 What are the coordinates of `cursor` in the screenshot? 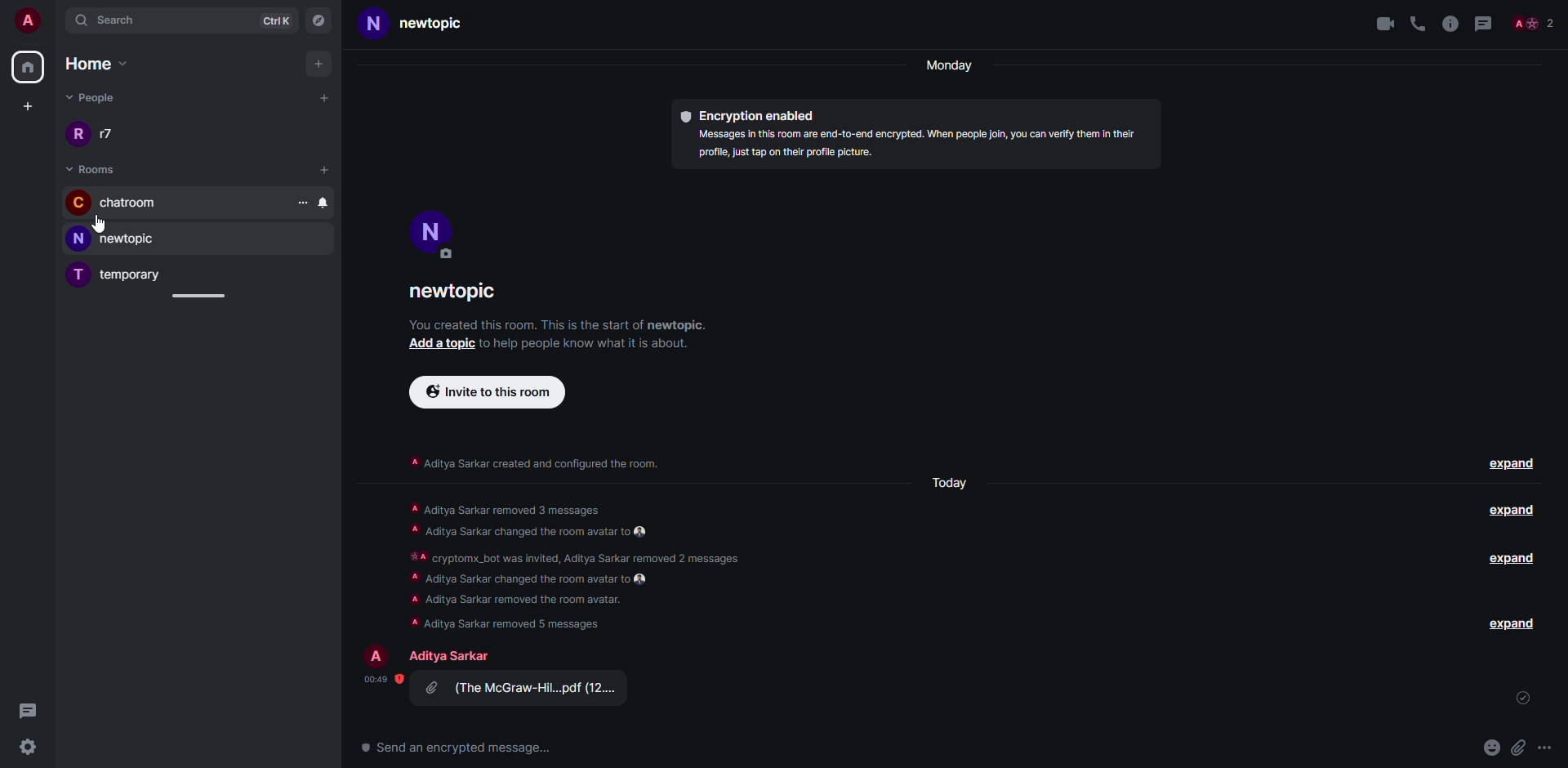 It's located at (98, 223).